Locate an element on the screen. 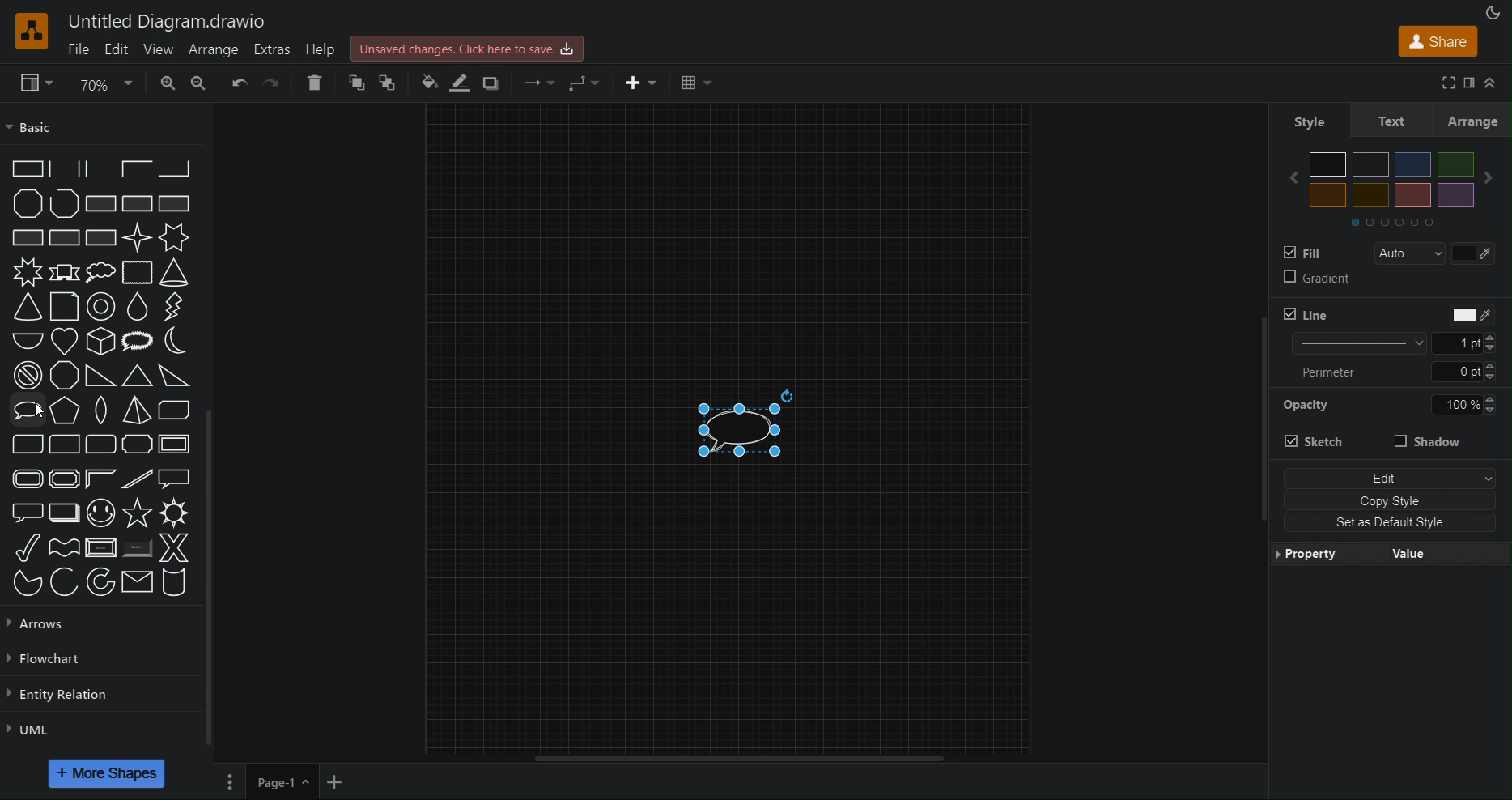  Arrange is located at coordinates (1474, 119).